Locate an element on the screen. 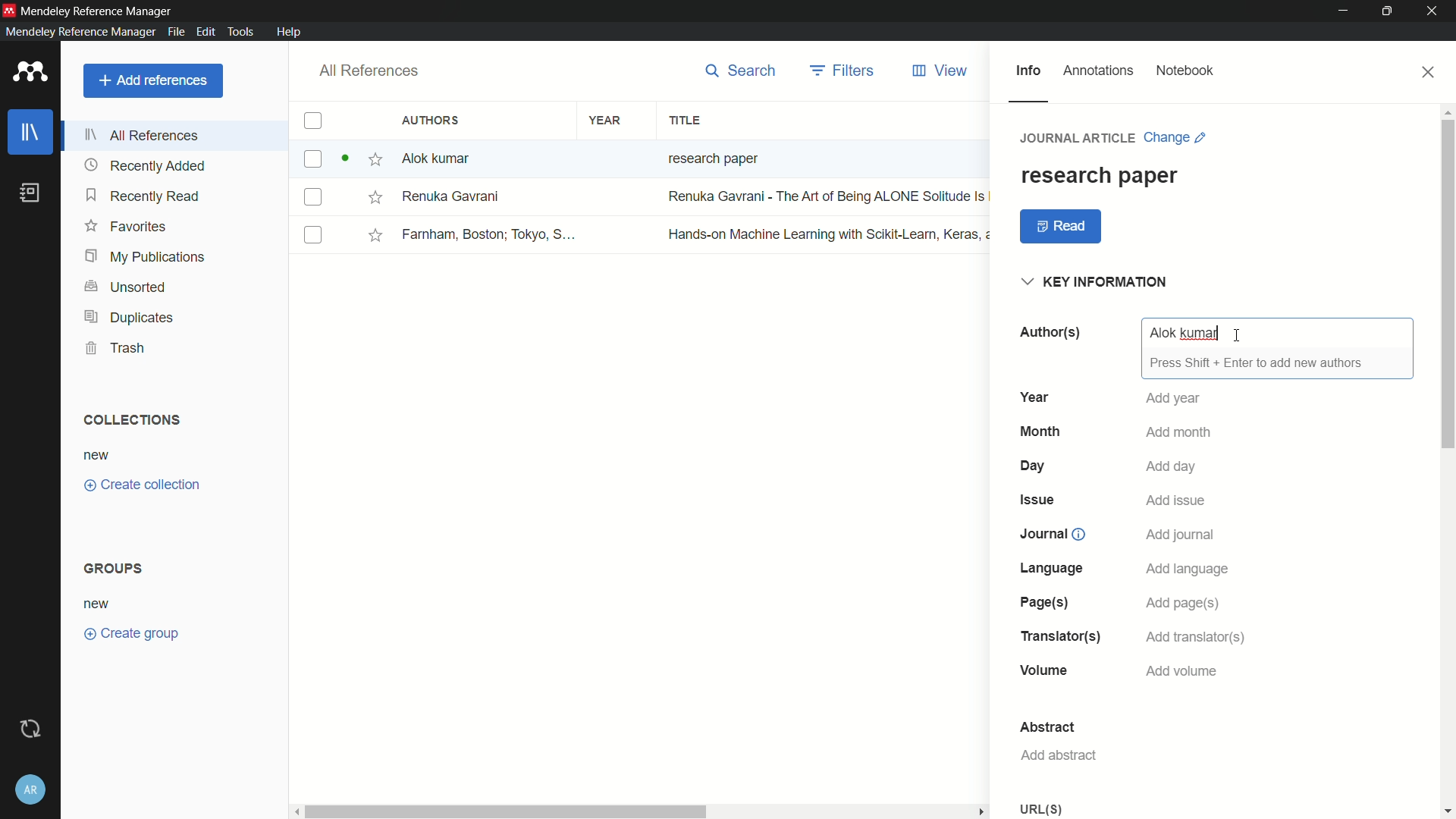 This screenshot has width=1456, height=819. title is located at coordinates (684, 121).